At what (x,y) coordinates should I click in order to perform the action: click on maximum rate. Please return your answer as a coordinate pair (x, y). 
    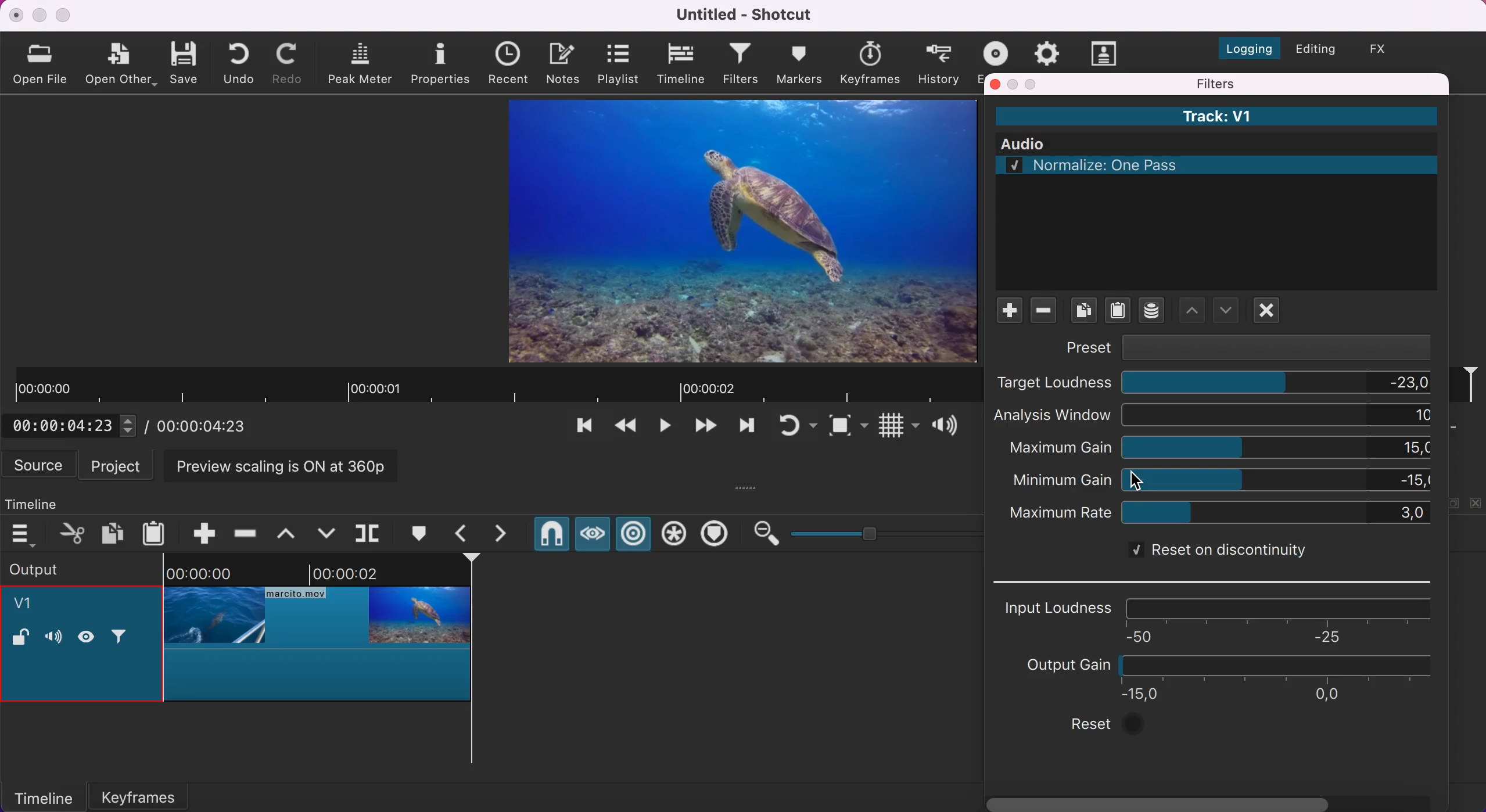
    Looking at the image, I should click on (1219, 513).